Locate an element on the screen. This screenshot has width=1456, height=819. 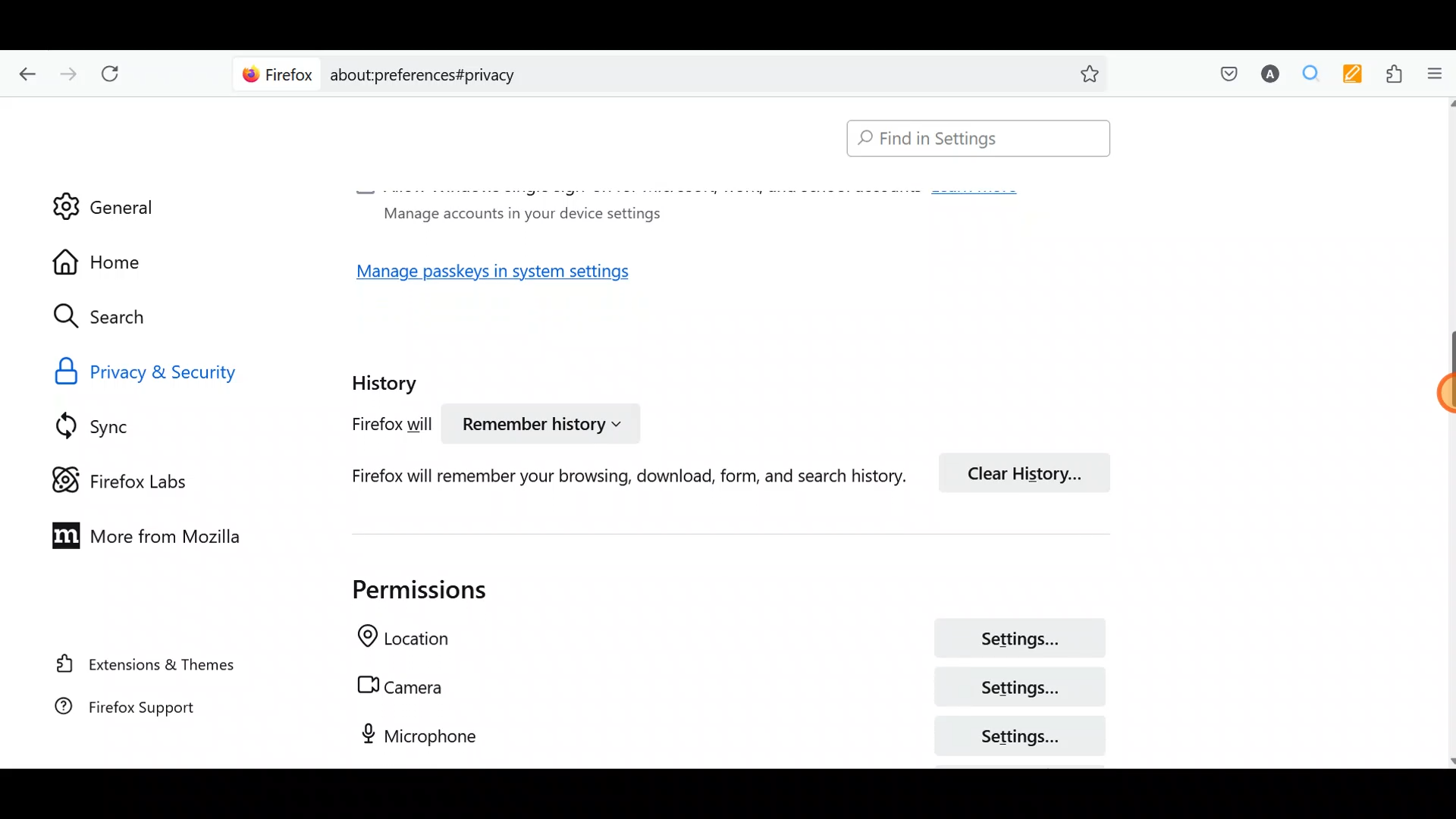
Camera settings is located at coordinates (723, 687).